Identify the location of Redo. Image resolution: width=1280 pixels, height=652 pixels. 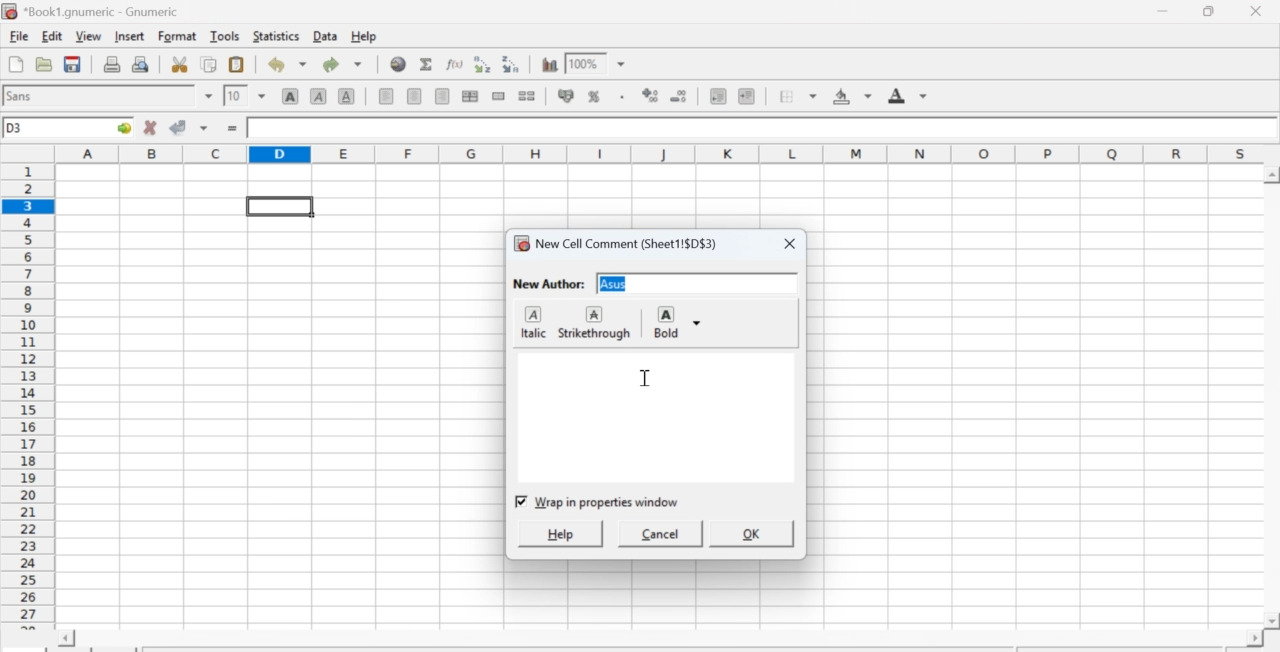
(346, 64).